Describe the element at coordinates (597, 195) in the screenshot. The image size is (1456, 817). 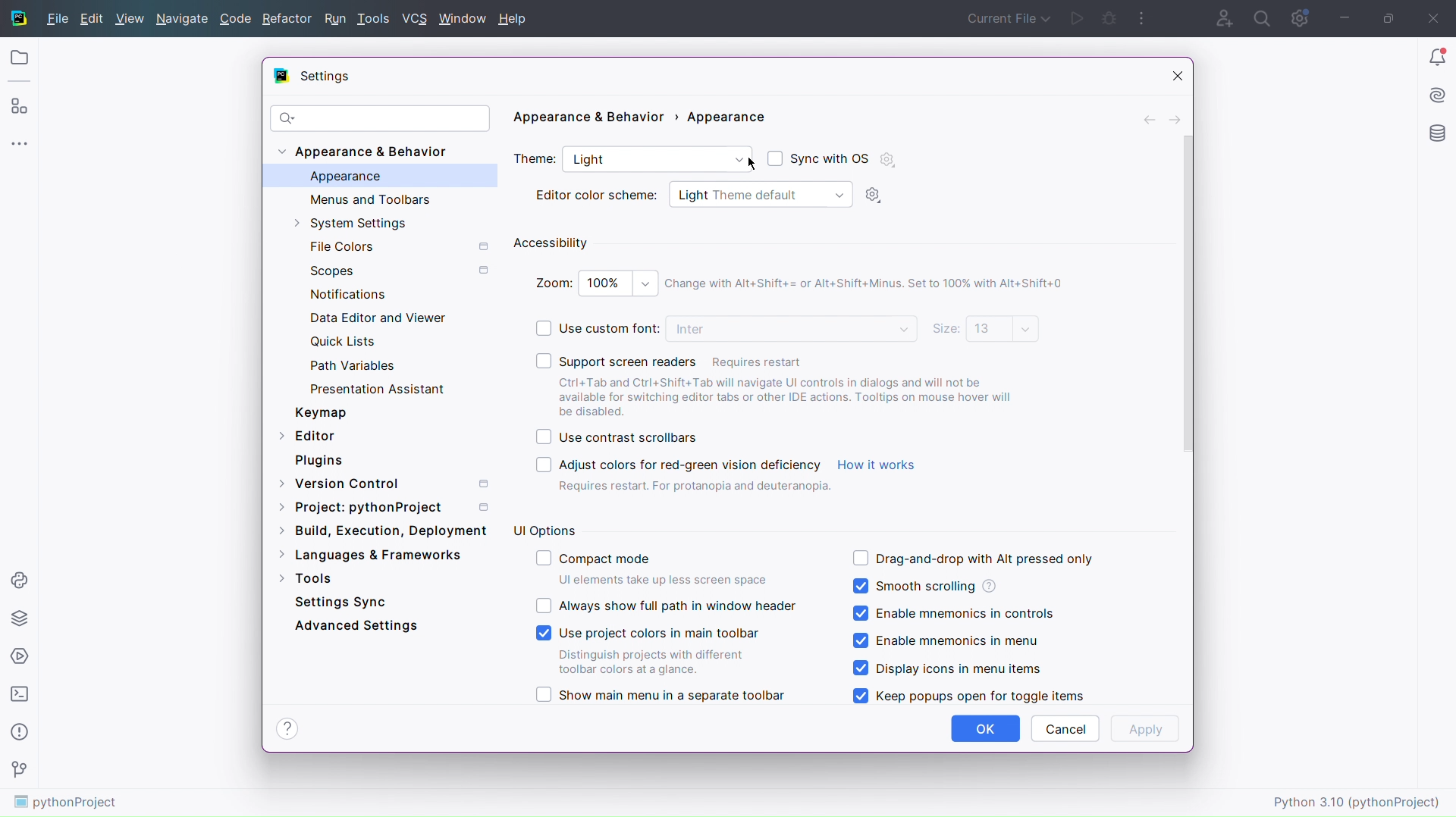
I see `Editor Color Scheme` at that location.